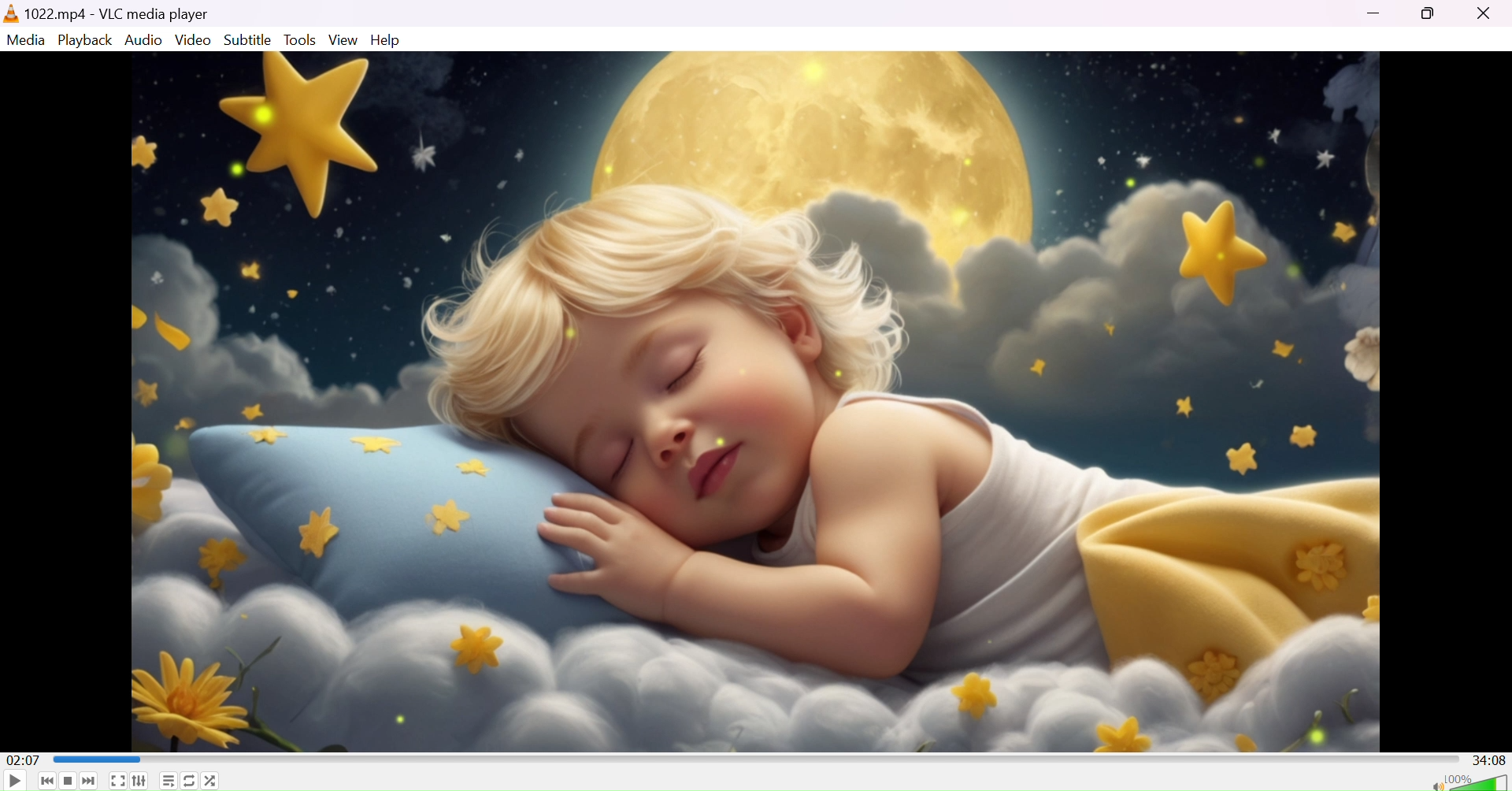 This screenshot has width=1512, height=791. What do you see at coordinates (88, 782) in the screenshot?
I see `Next media in the playlist, skip forward when held` at bounding box center [88, 782].